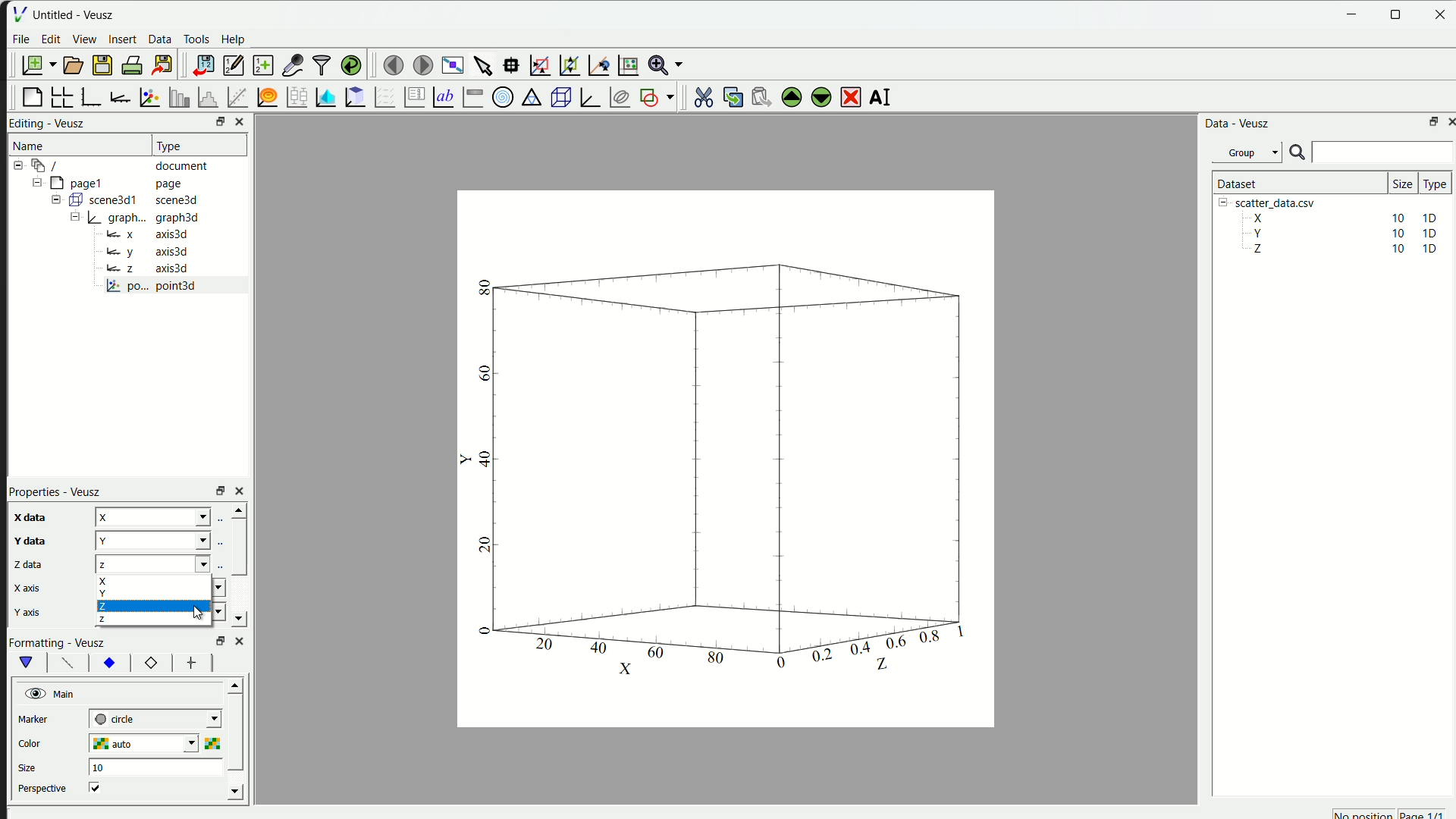 The width and height of the screenshot is (1456, 819). What do you see at coordinates (117, 181) in the screenshot?
I see `= [MY pagel page` at bounding box center [117, 181].